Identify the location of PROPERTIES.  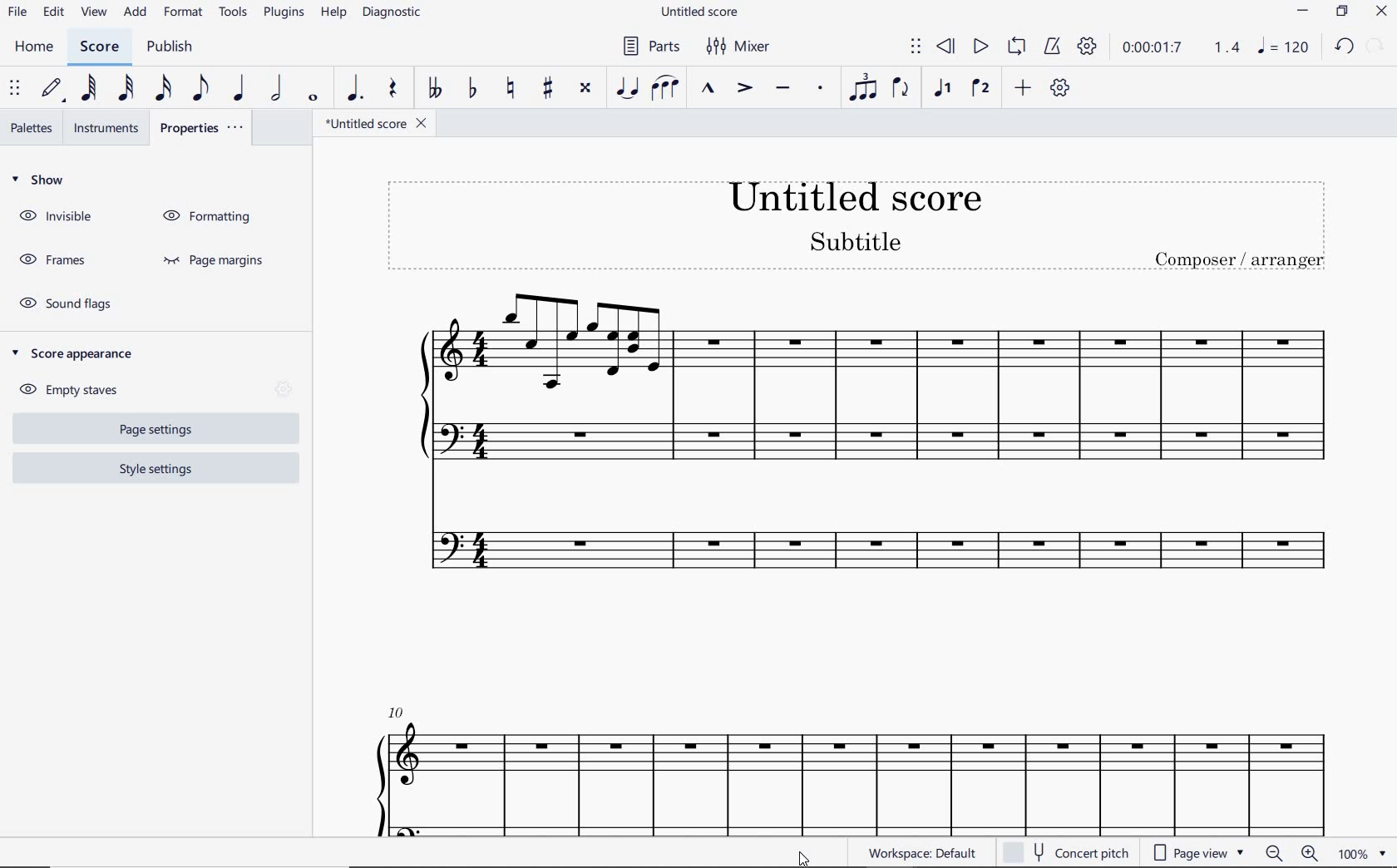
(202, 127).